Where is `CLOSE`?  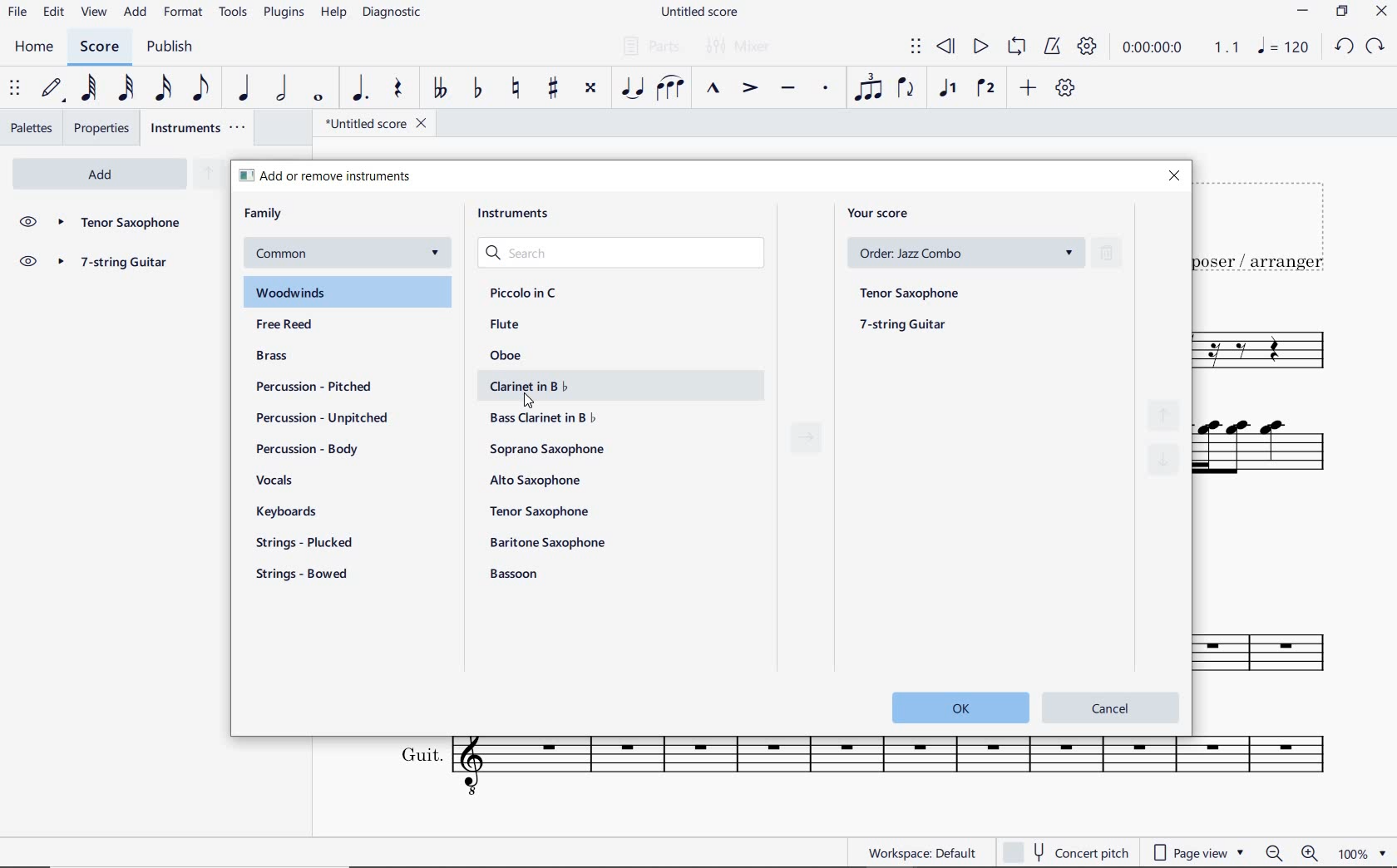
CLOSE is located at coordinates (1381, 12).